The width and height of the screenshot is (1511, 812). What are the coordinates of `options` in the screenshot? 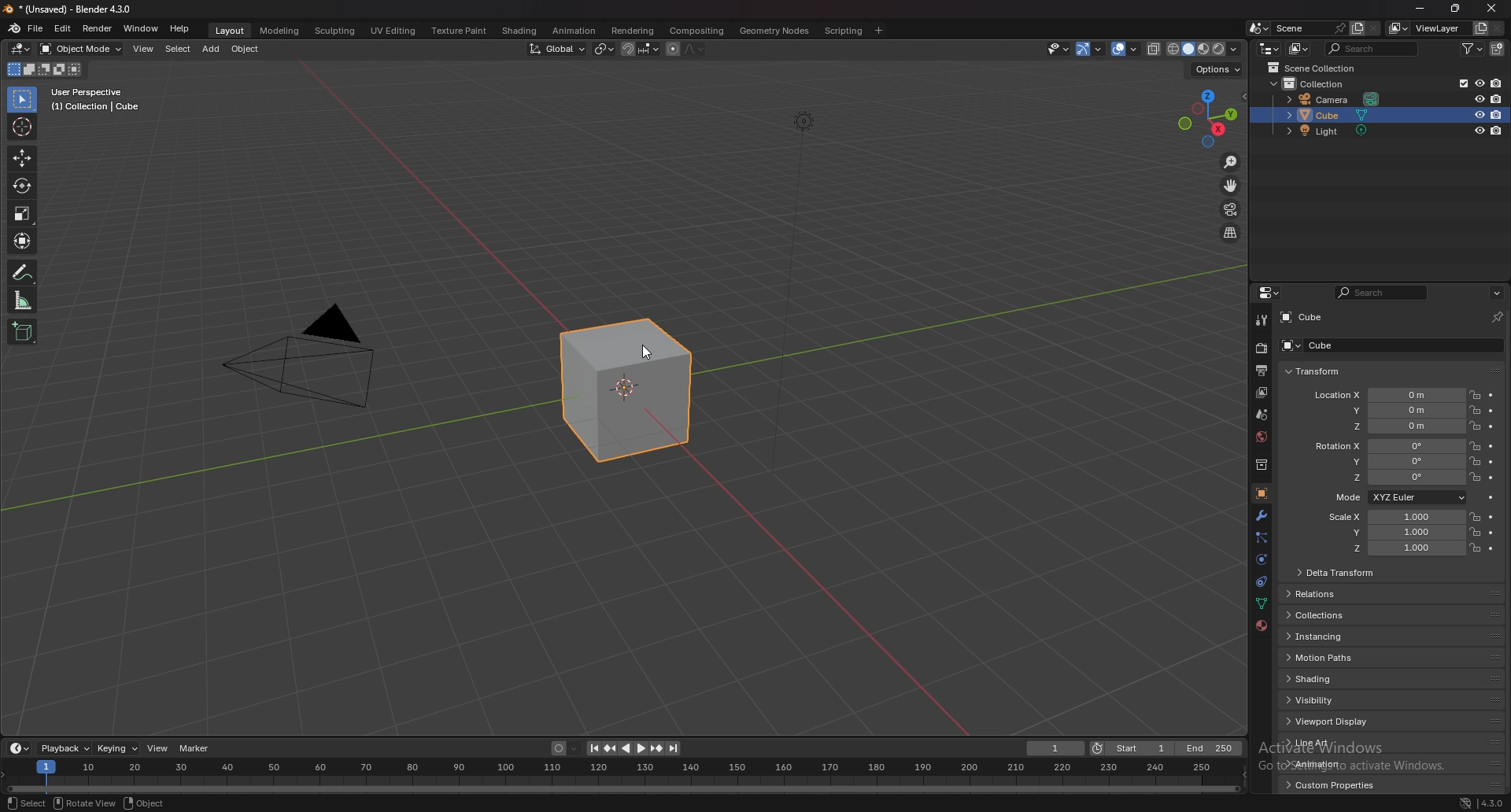 It's located at (1217, 71).